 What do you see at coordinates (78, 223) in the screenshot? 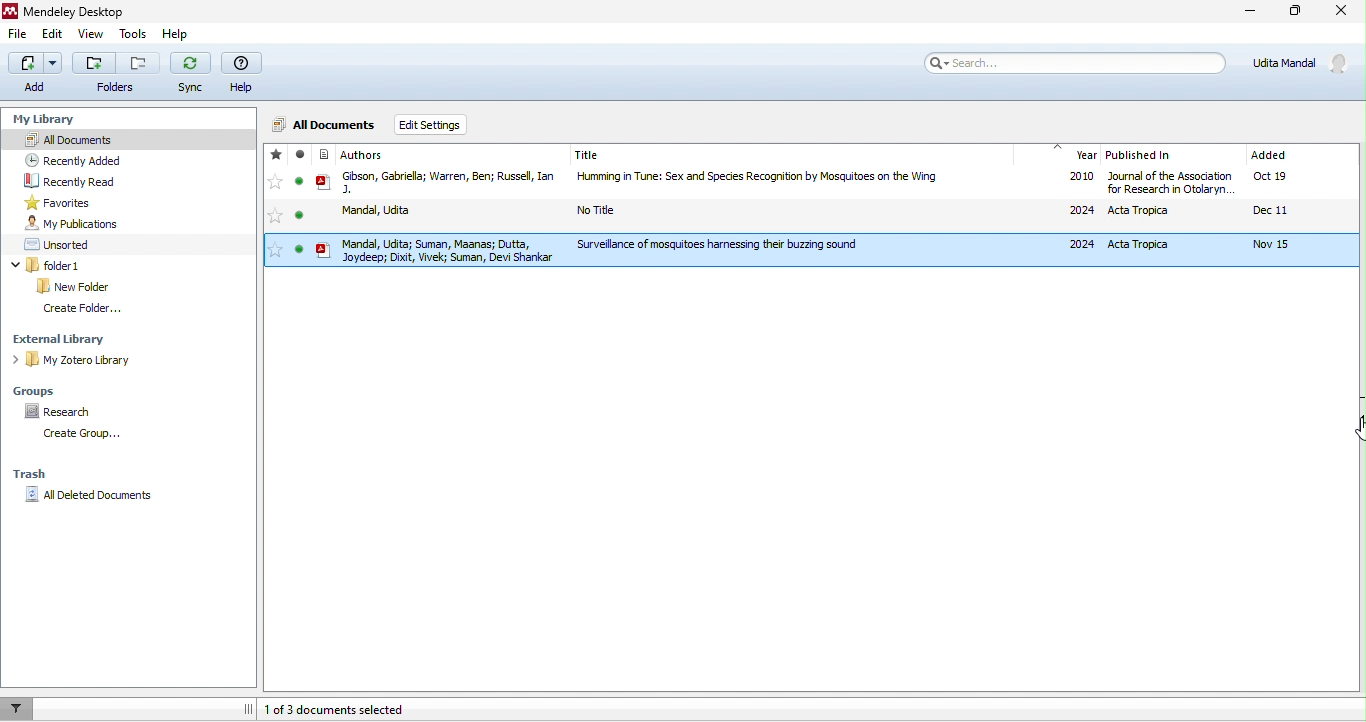
I see `my publications` at bounding box center [78, 223].